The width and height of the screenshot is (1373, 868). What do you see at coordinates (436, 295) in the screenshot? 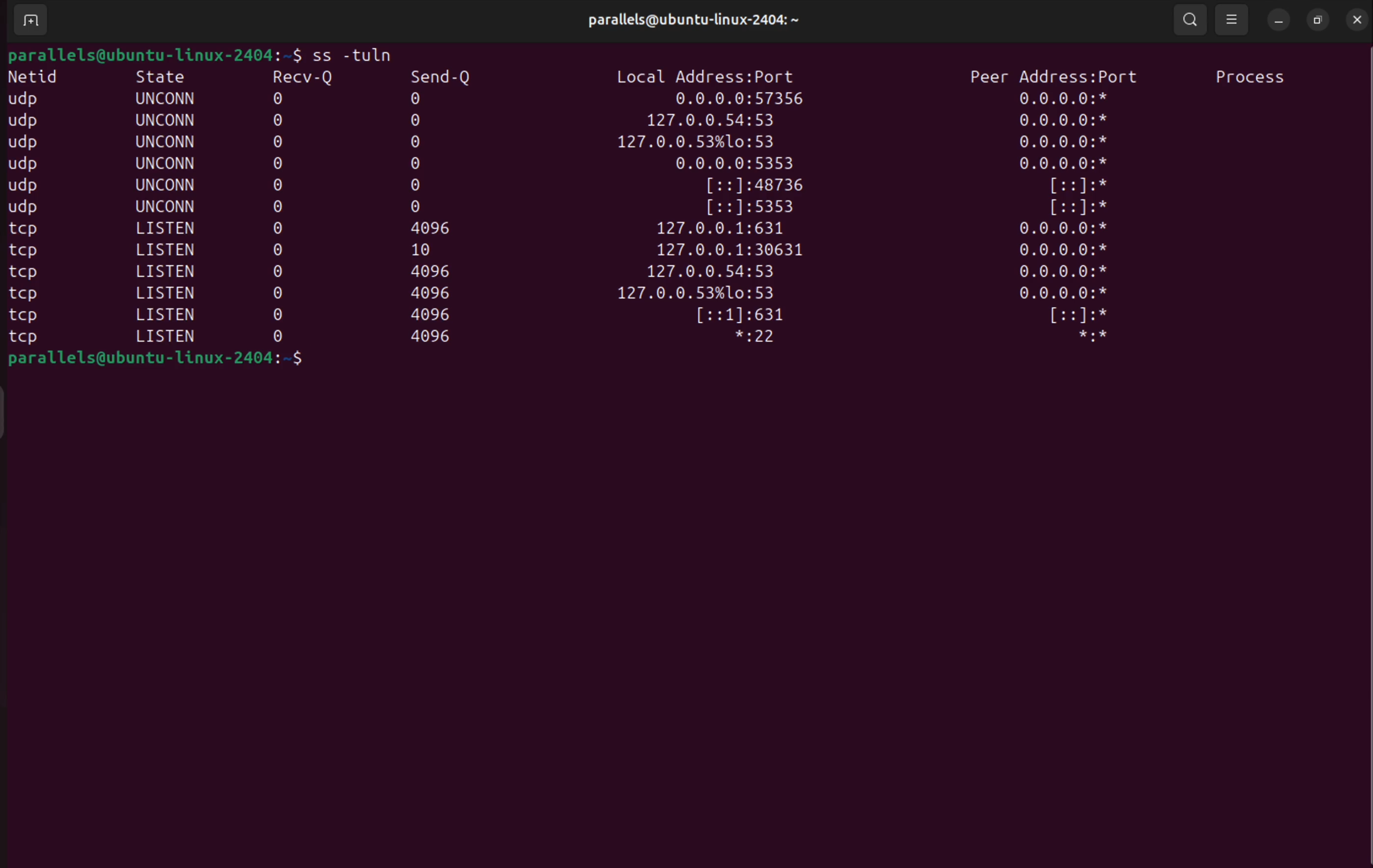
I see `4096` at bounding box center [436, 295].